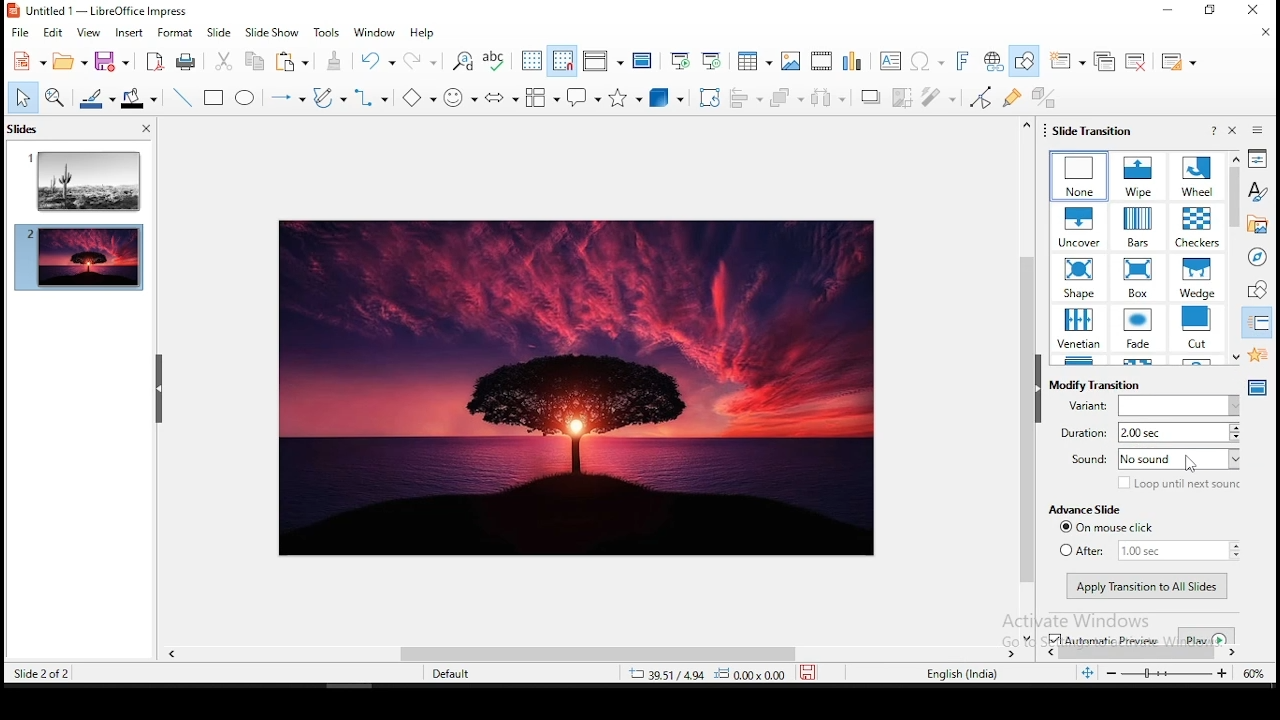  What do you see at coordinates (643, 58) in the screenshot?
I see `master slide` at bounding box center [643, 58].